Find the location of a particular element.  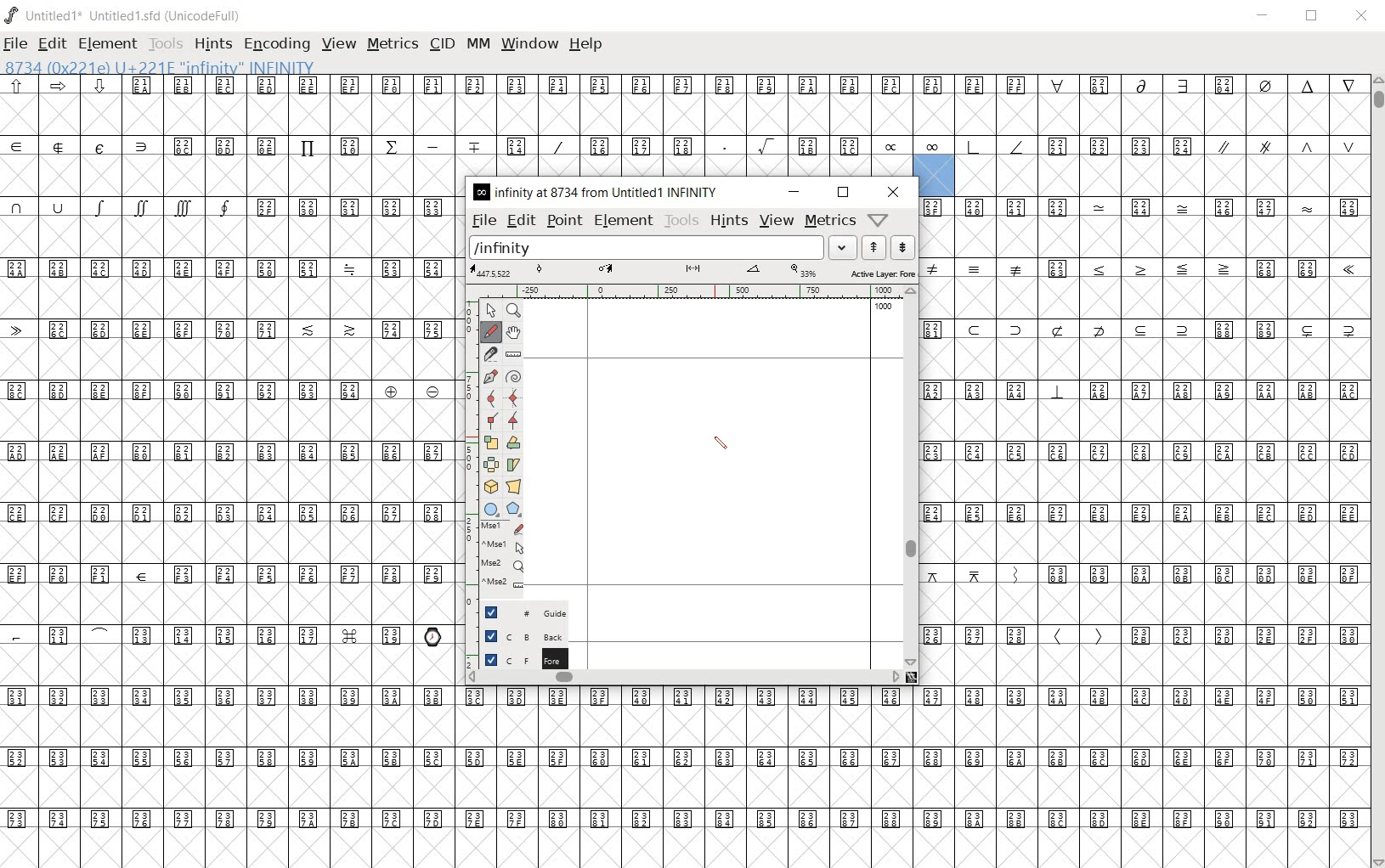

perform a perspective transformation on the selection is located at coordinates (514, 486).